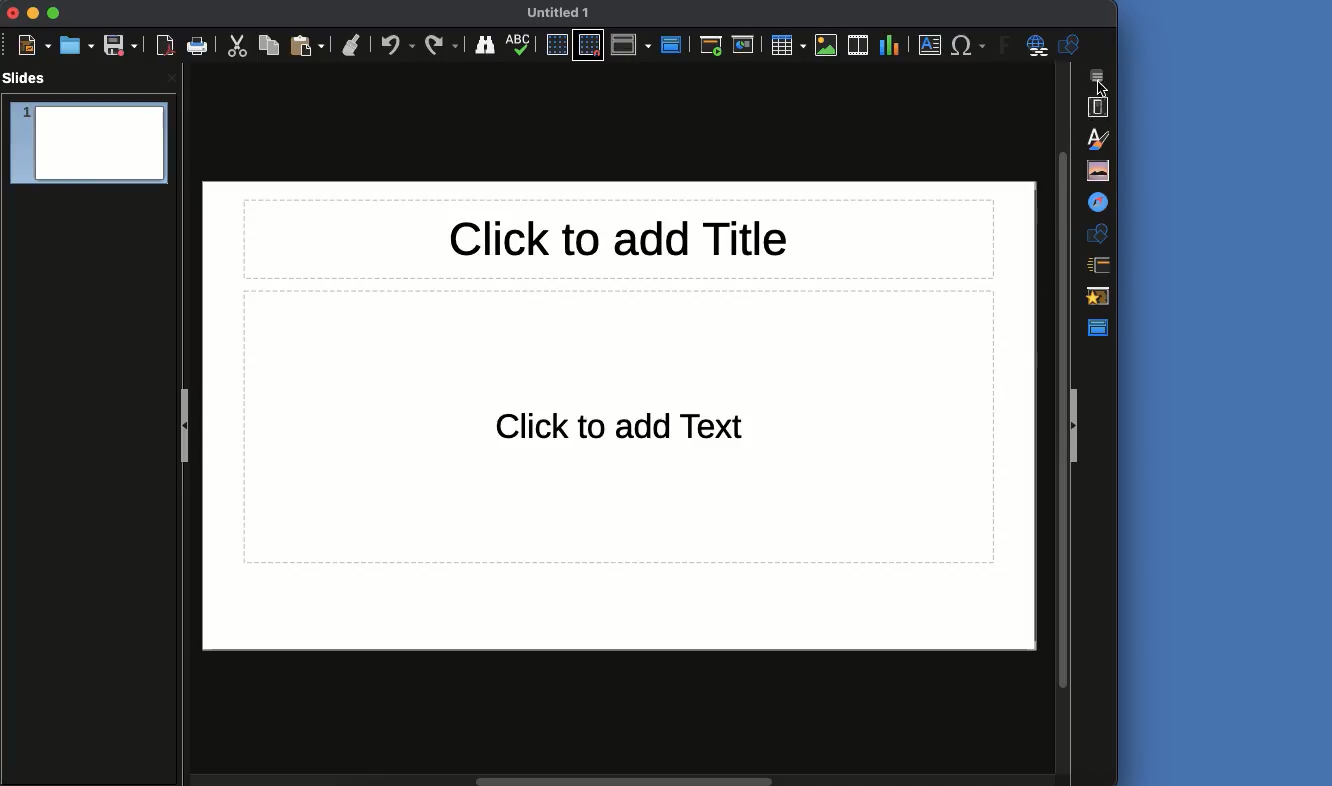 The width and height of the screenshot is (1332, 786). Describe the element at coordinates (28, 78) in the screenshot. I see `Slides` at that location.